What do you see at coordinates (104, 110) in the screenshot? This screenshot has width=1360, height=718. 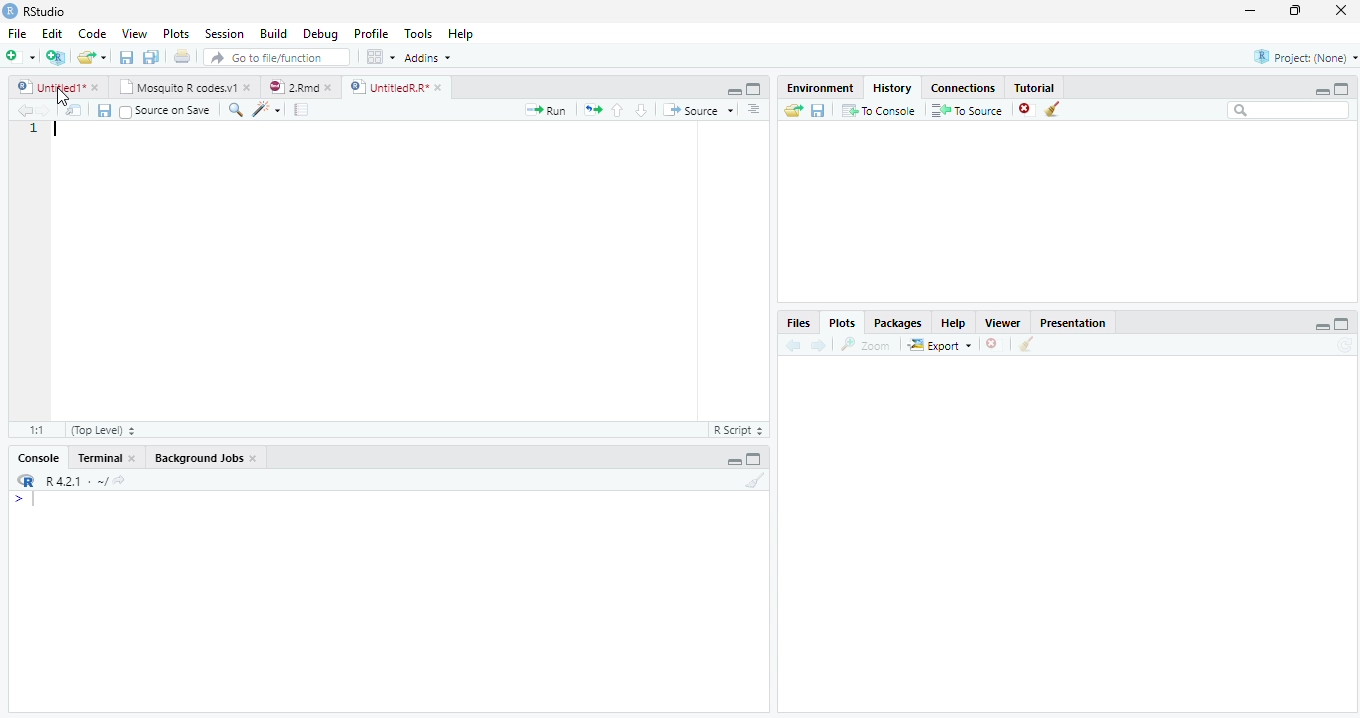 I see `Save` at bounding box center [104, 110].